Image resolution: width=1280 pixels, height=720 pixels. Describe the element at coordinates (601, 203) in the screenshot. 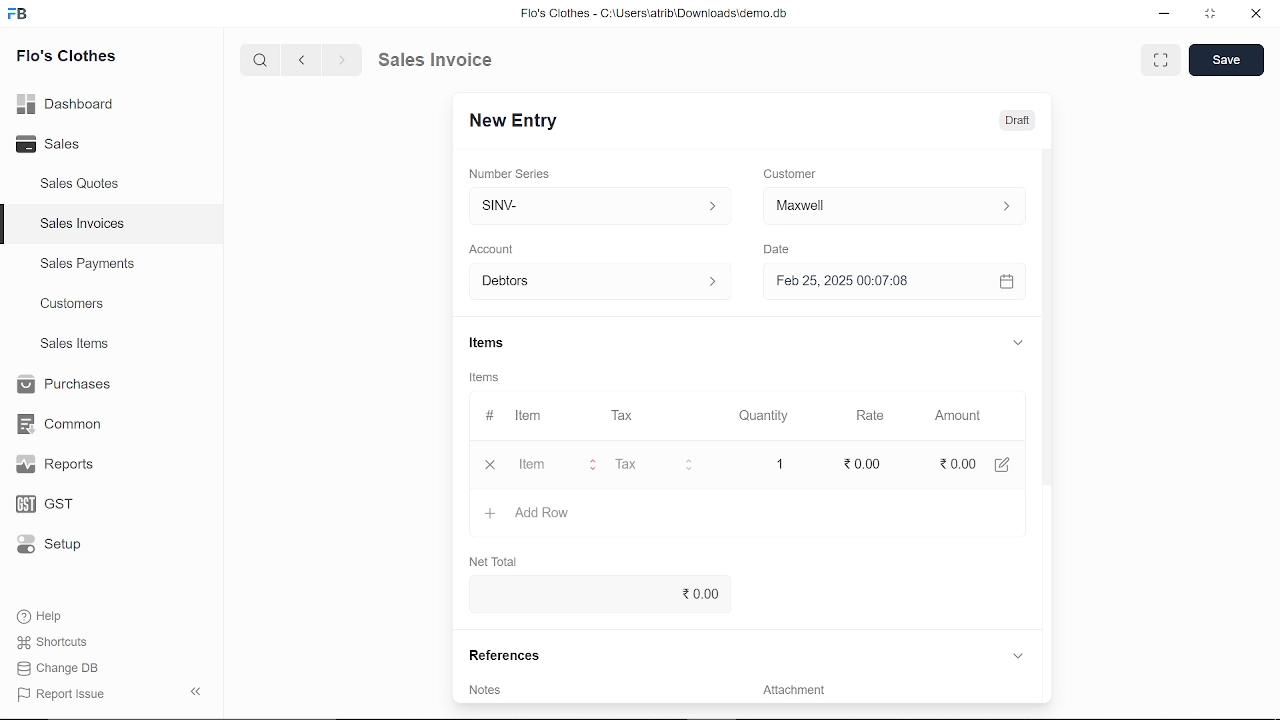

I see `Insert number series` at that location.